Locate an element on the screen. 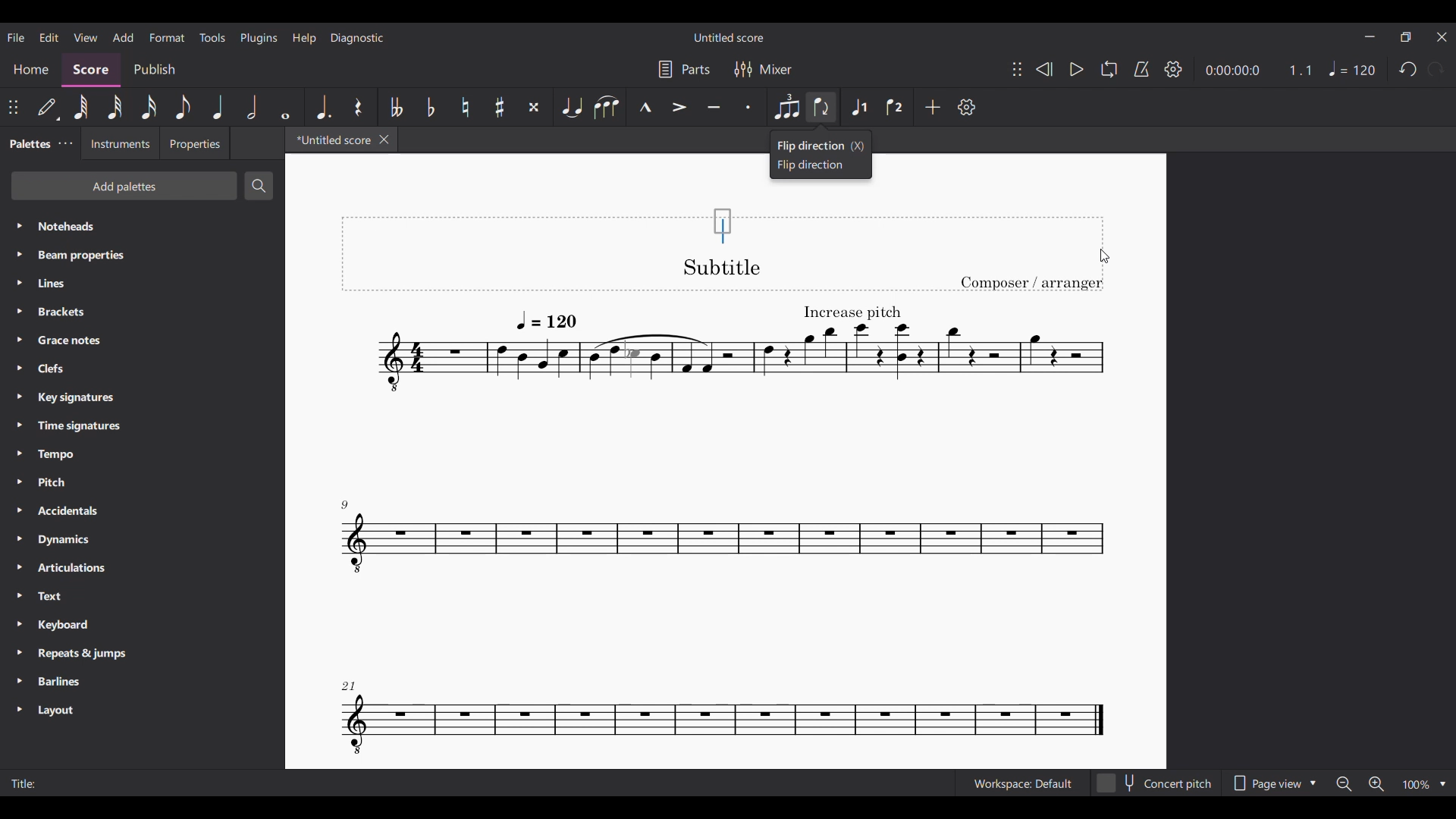  Tempo is located at coordinates (1353, 68).